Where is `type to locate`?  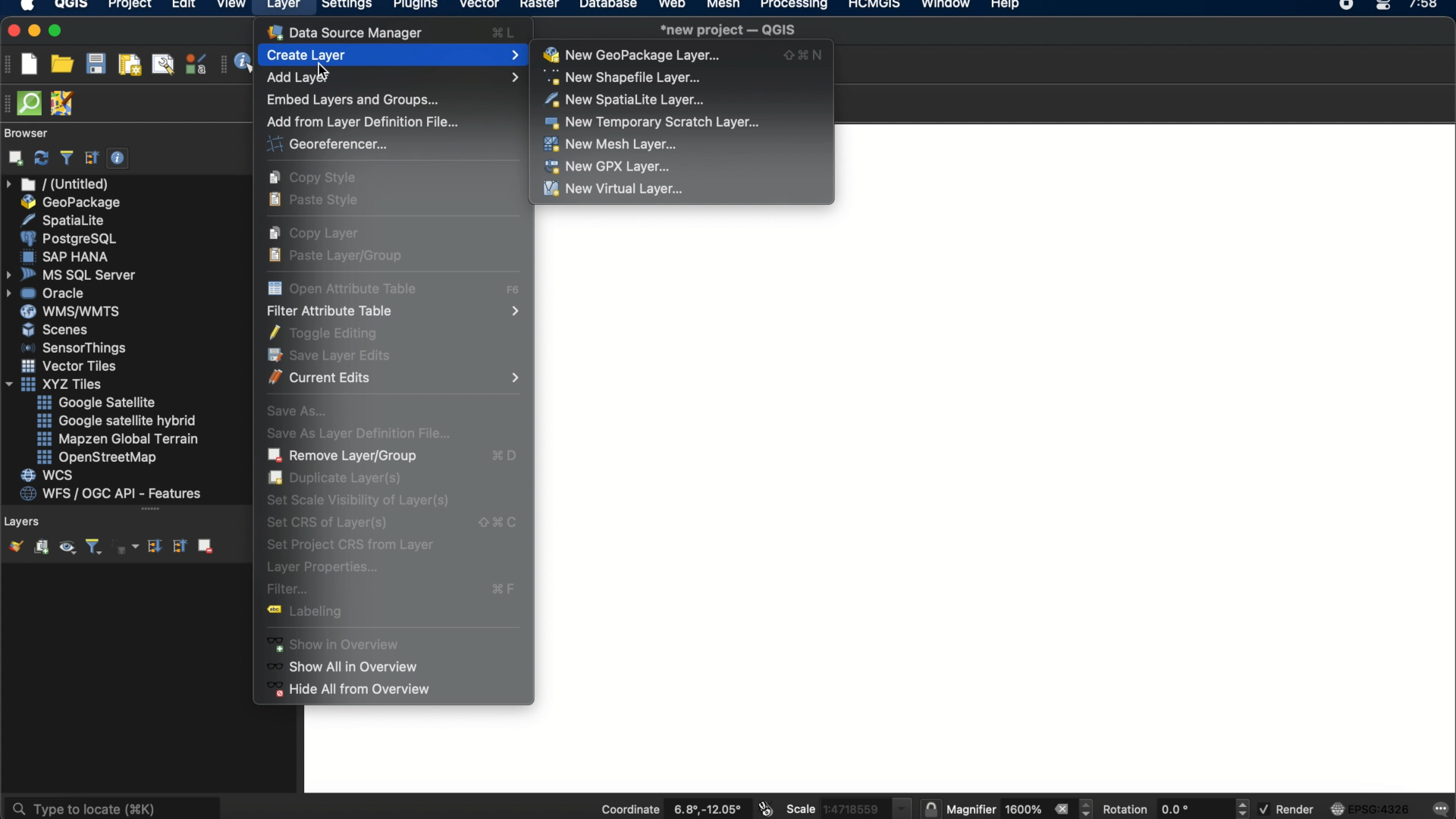 type to locate is located at coordinates (111, 807).